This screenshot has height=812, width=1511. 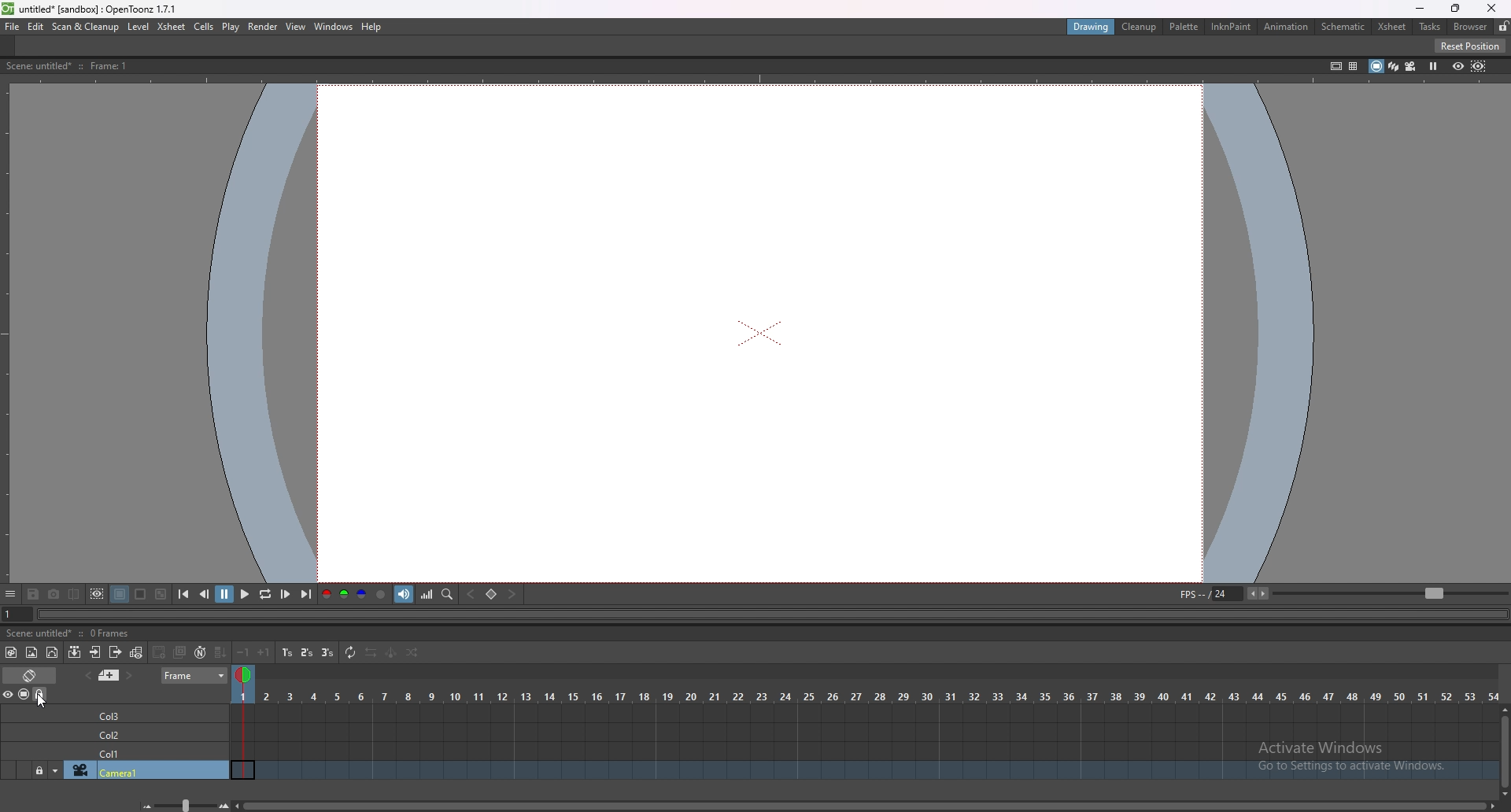 What do you see at coordinates (75, 652) in the screenshot?
I see `collapse` at bounding box center [75, 652].